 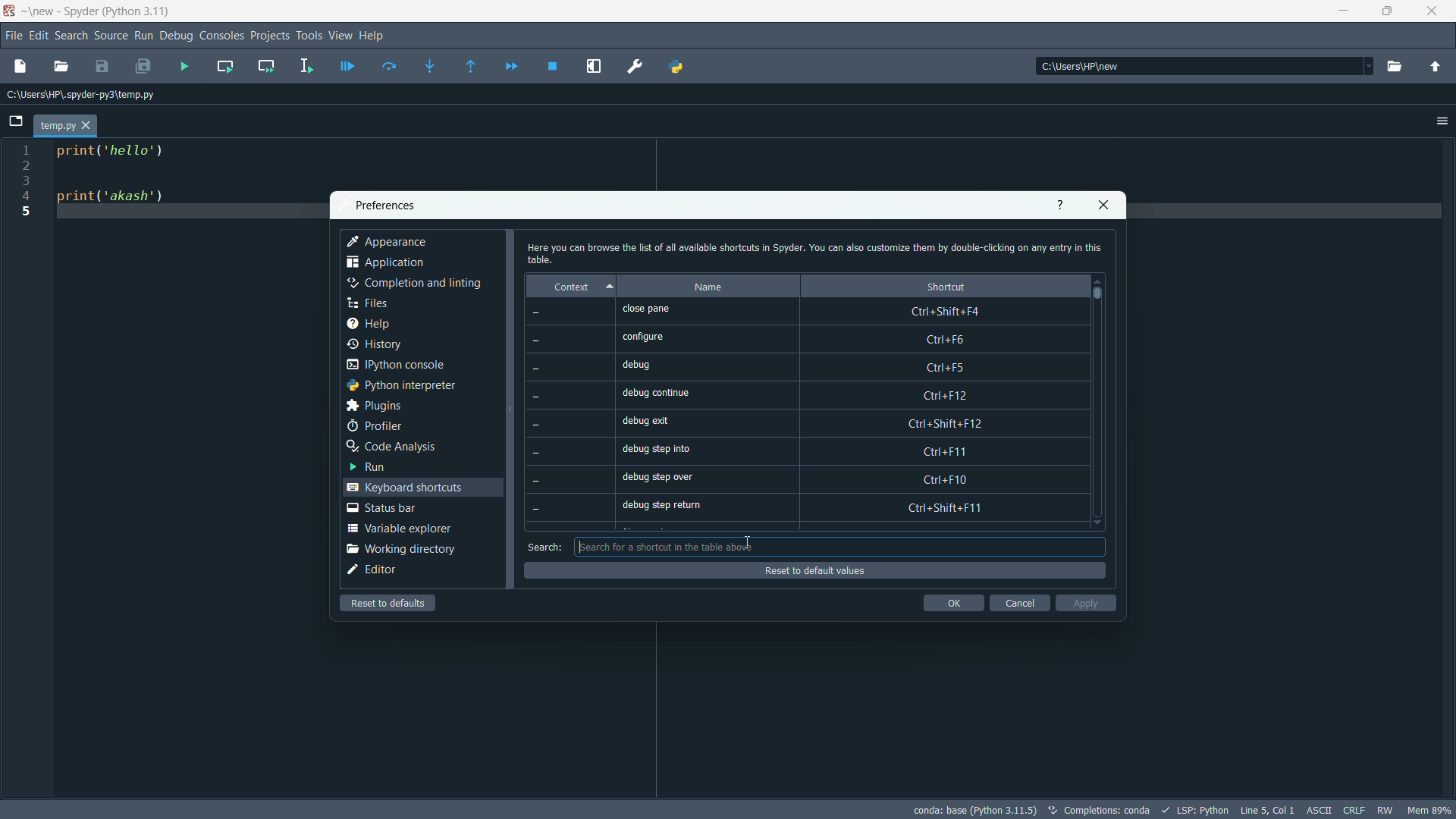 I want to click on cursor, so click(x=748, y=542).